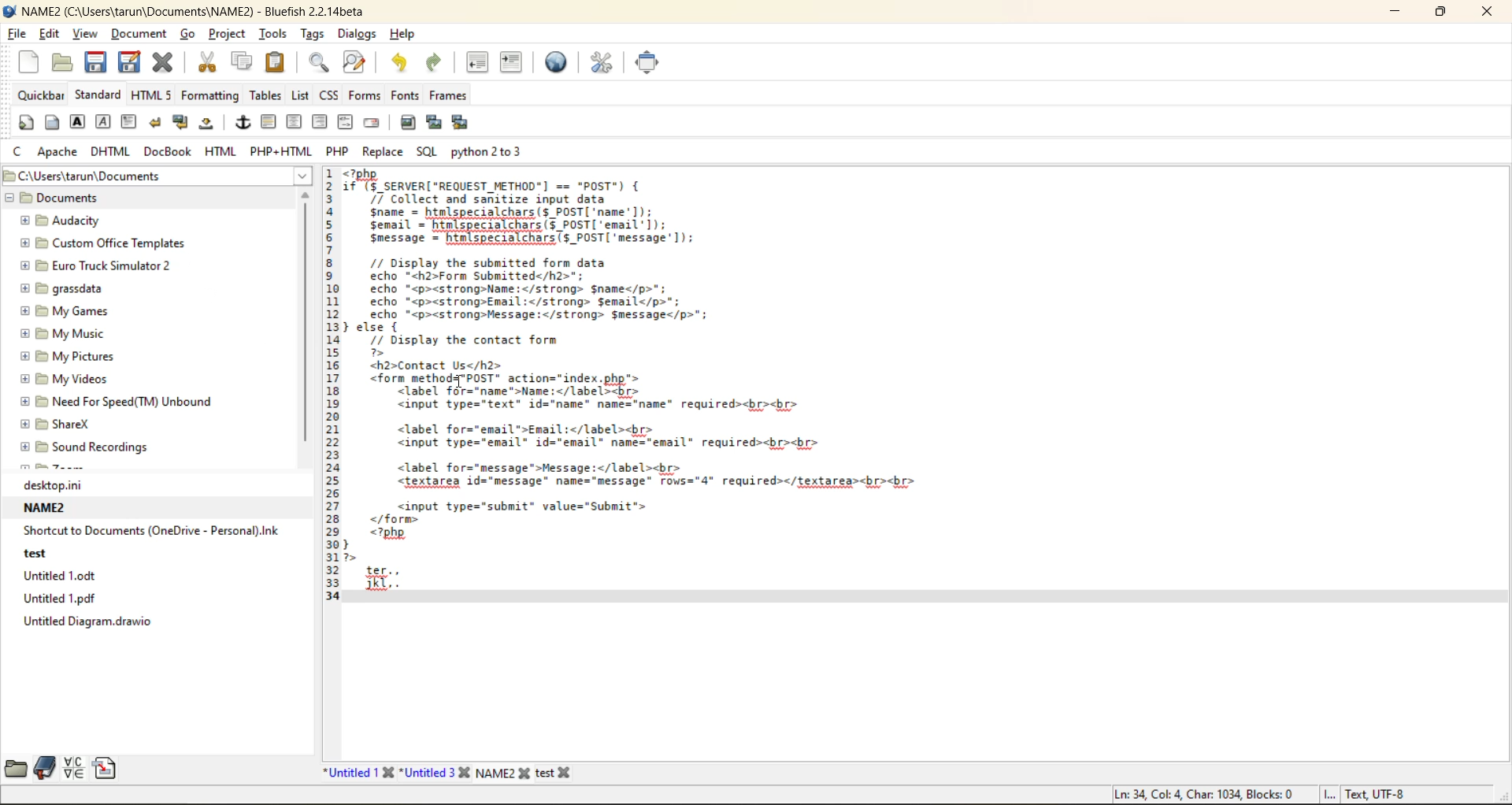 This screenshot has width=1512, height=805. I want to click on new, so click(31, 60).